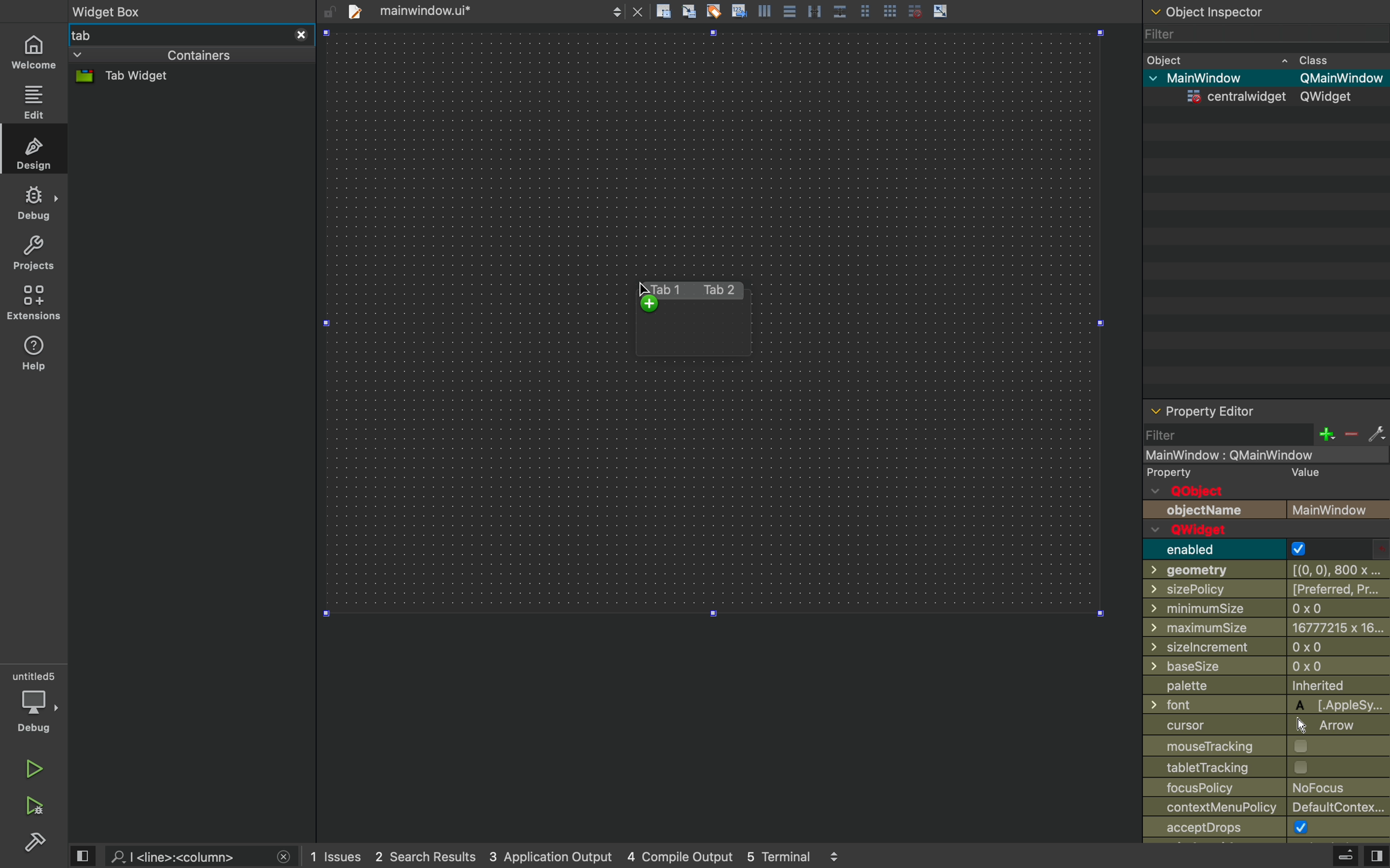 The width and height of the screenshot is (1390, 868). What do you see at coordinates (182, 10) in the screenshot?
I see `widget box` at bounding box center [182, 10].